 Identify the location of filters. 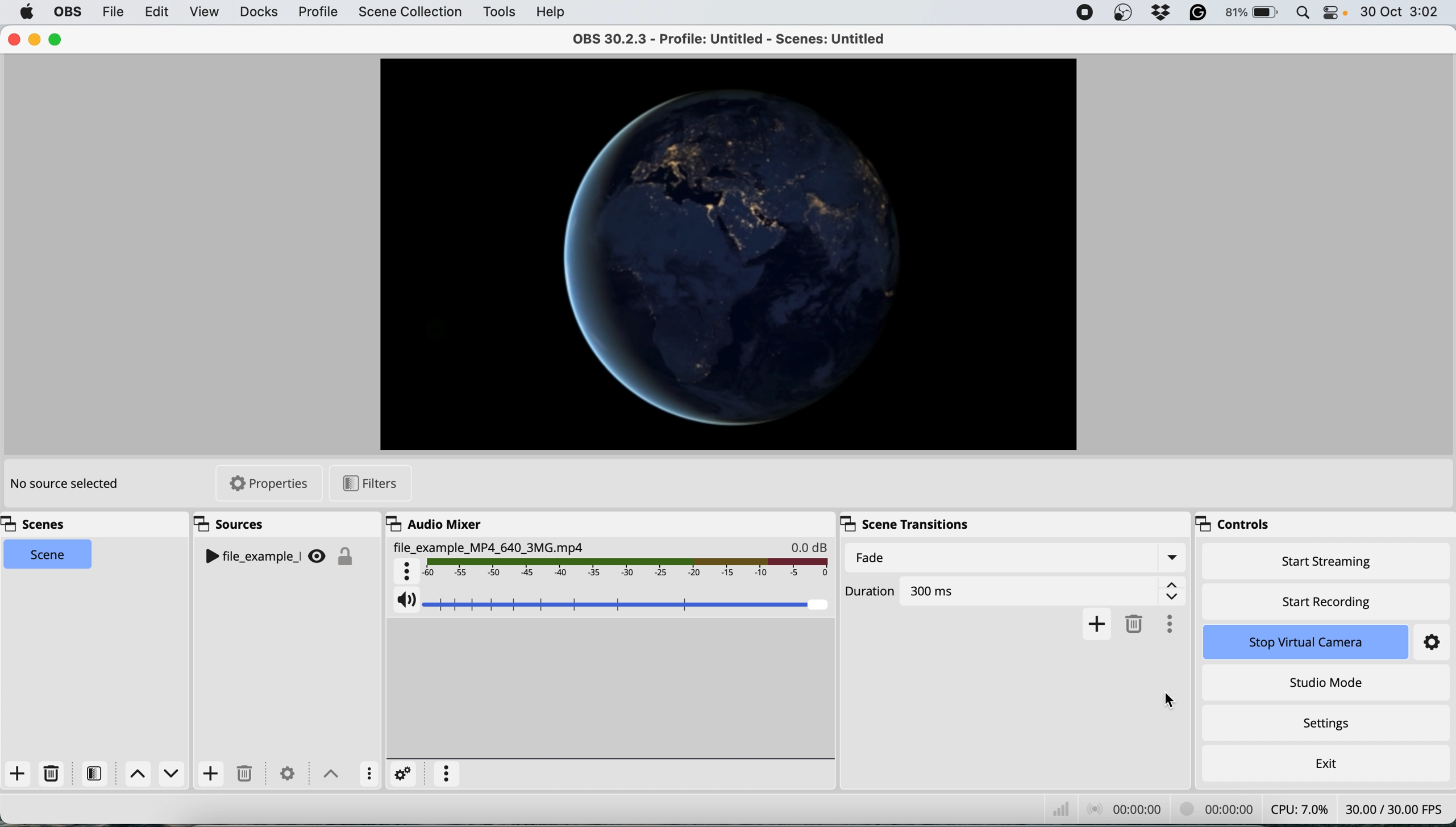
(365, 482).